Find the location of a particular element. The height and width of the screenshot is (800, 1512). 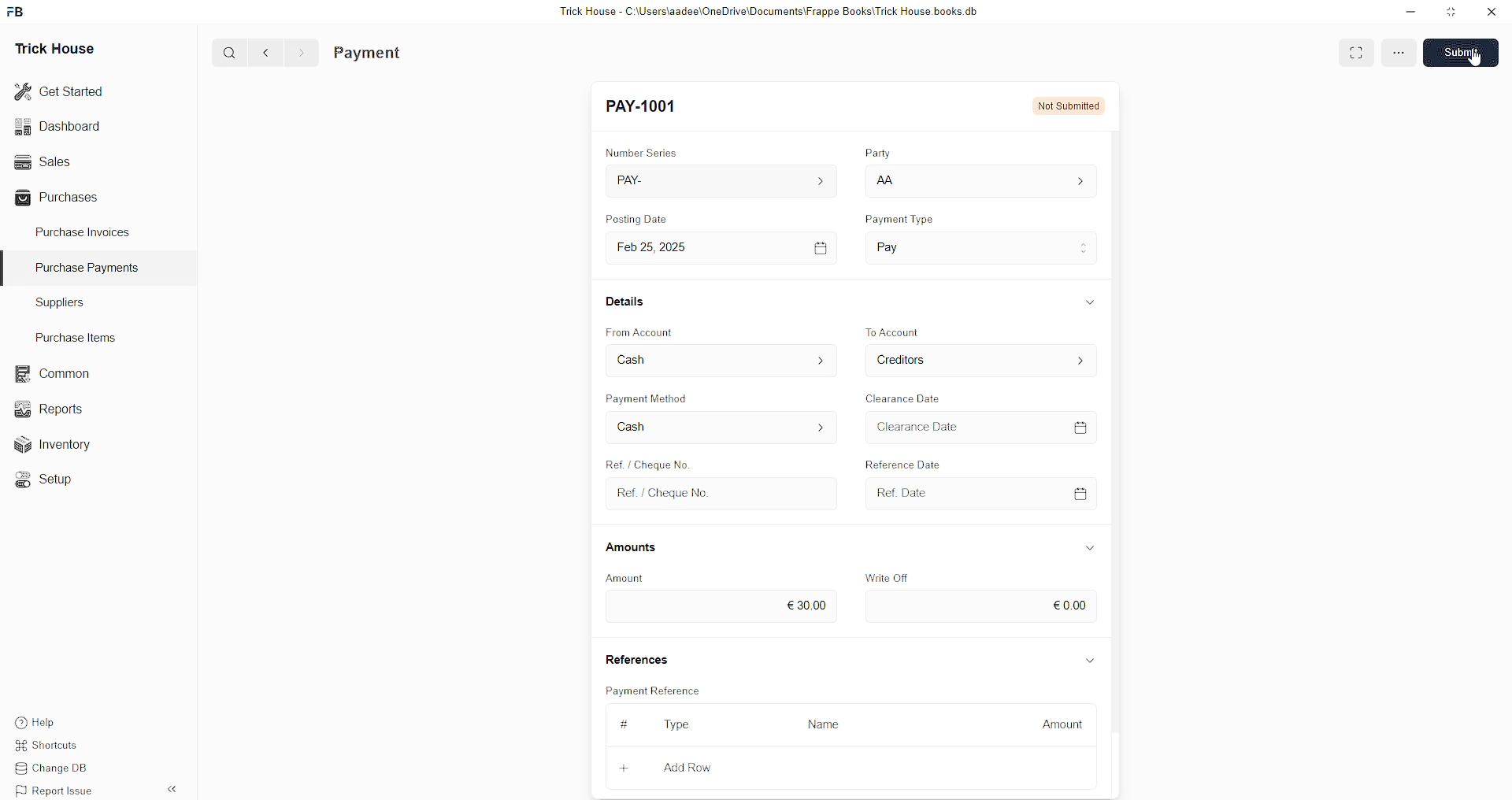

Cash is located at coordinates (636, 426).